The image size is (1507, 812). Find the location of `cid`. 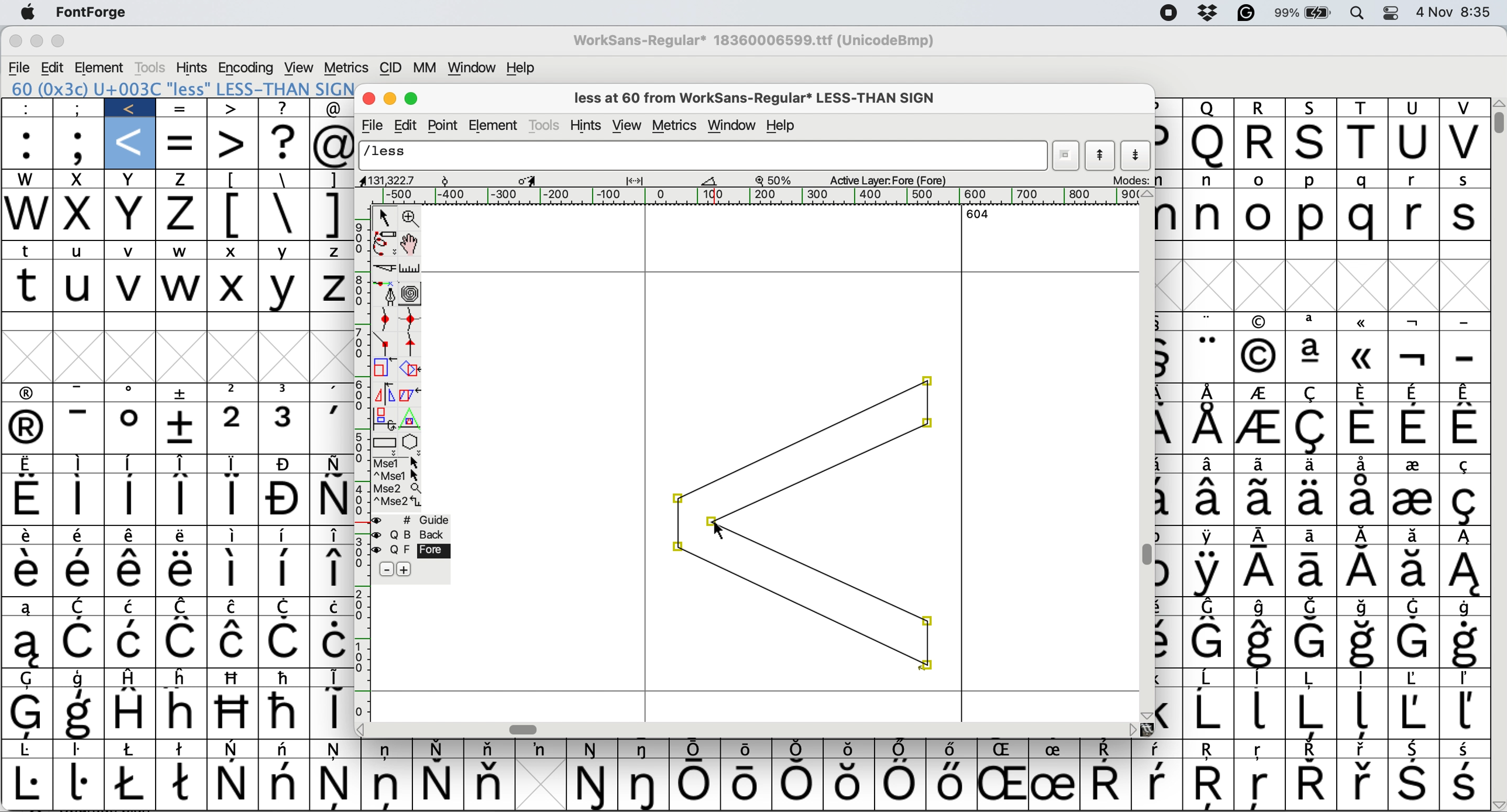

cid is located at coordinates (391, 68).